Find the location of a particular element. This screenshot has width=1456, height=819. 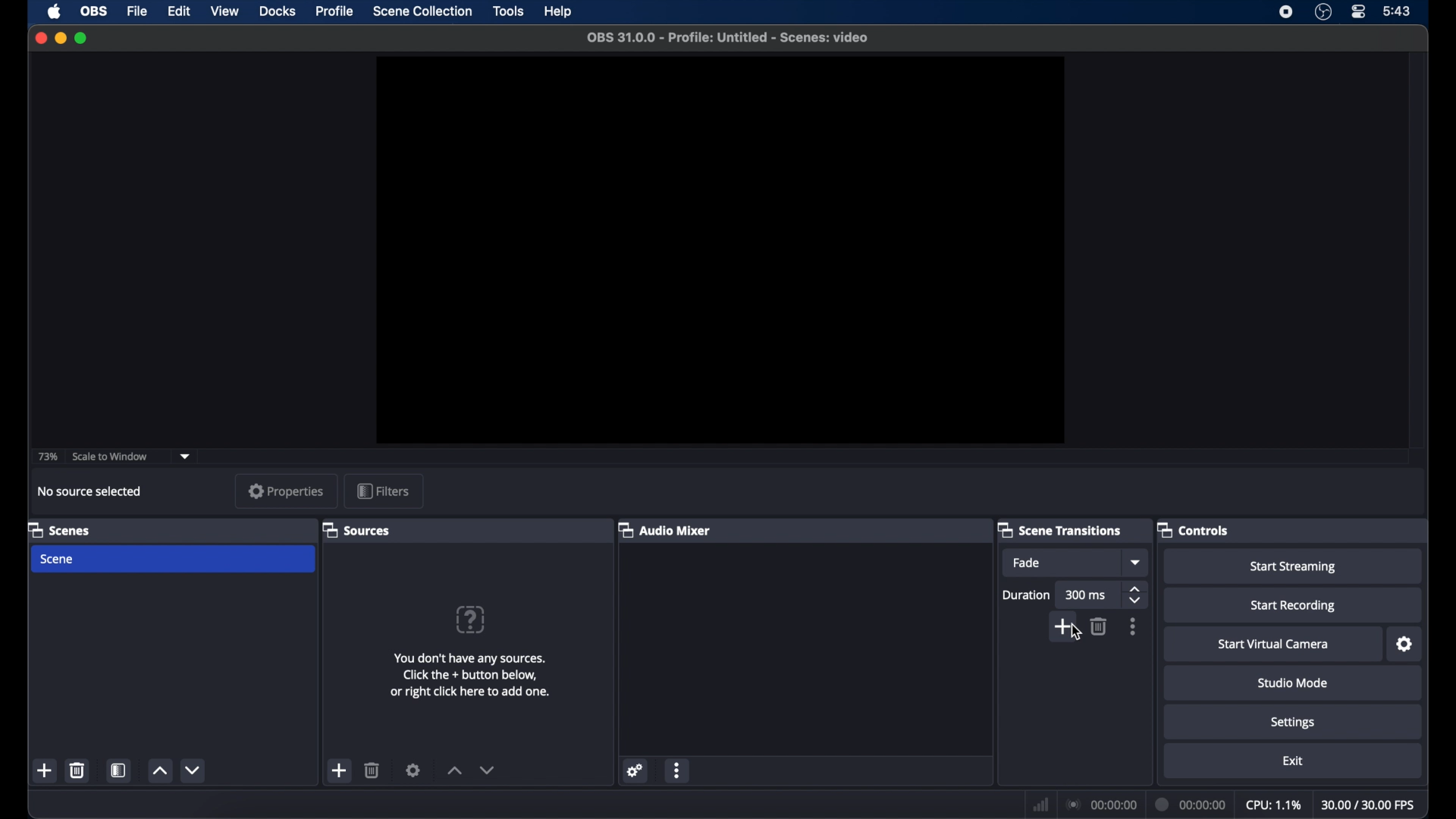

increment is located at coordinates (455, 770).